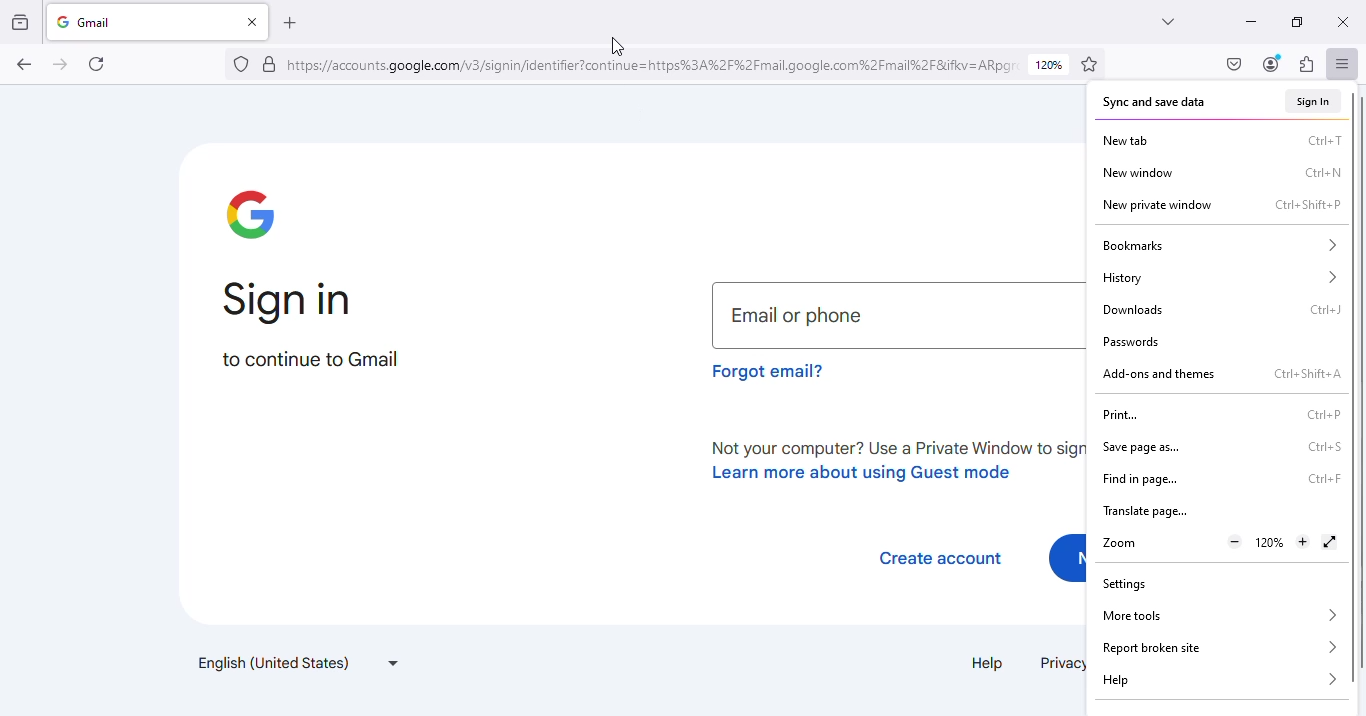 The height and width of the screenshot is (716, 1366). I want to click on verified by: google trust services, so click(270, 65).